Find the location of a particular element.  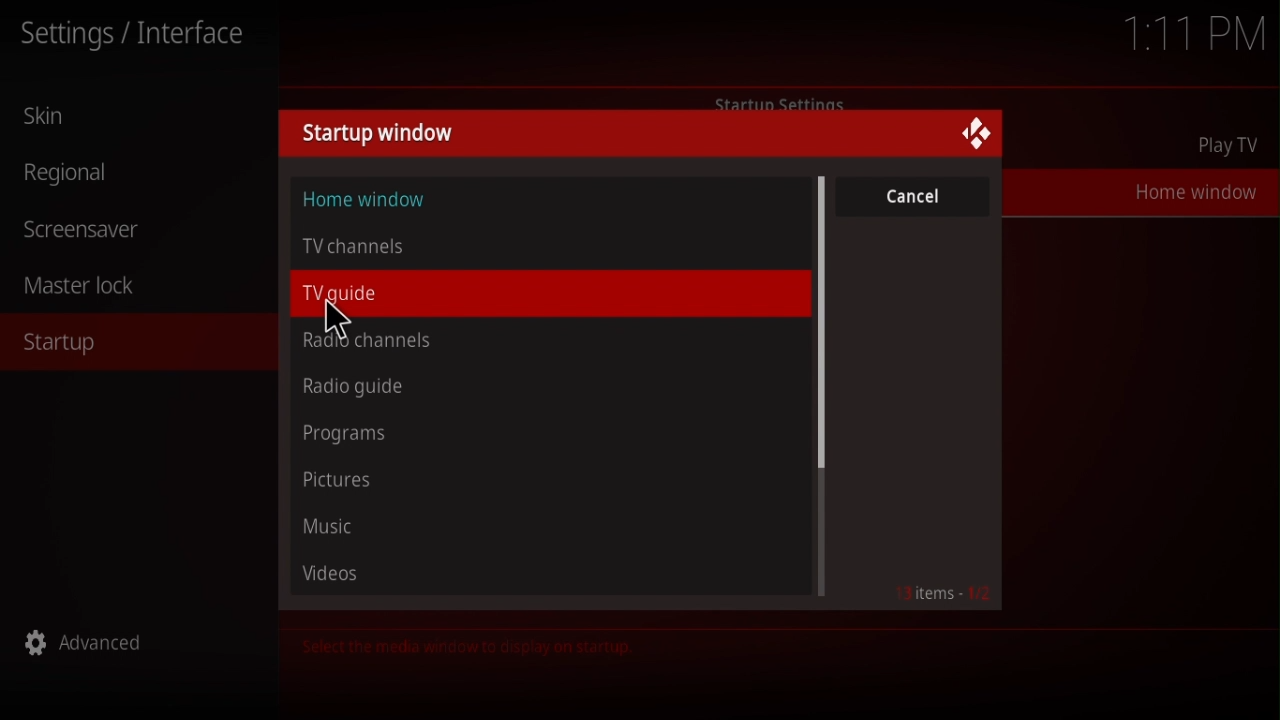

Icon is located at coordinates (974, 135).